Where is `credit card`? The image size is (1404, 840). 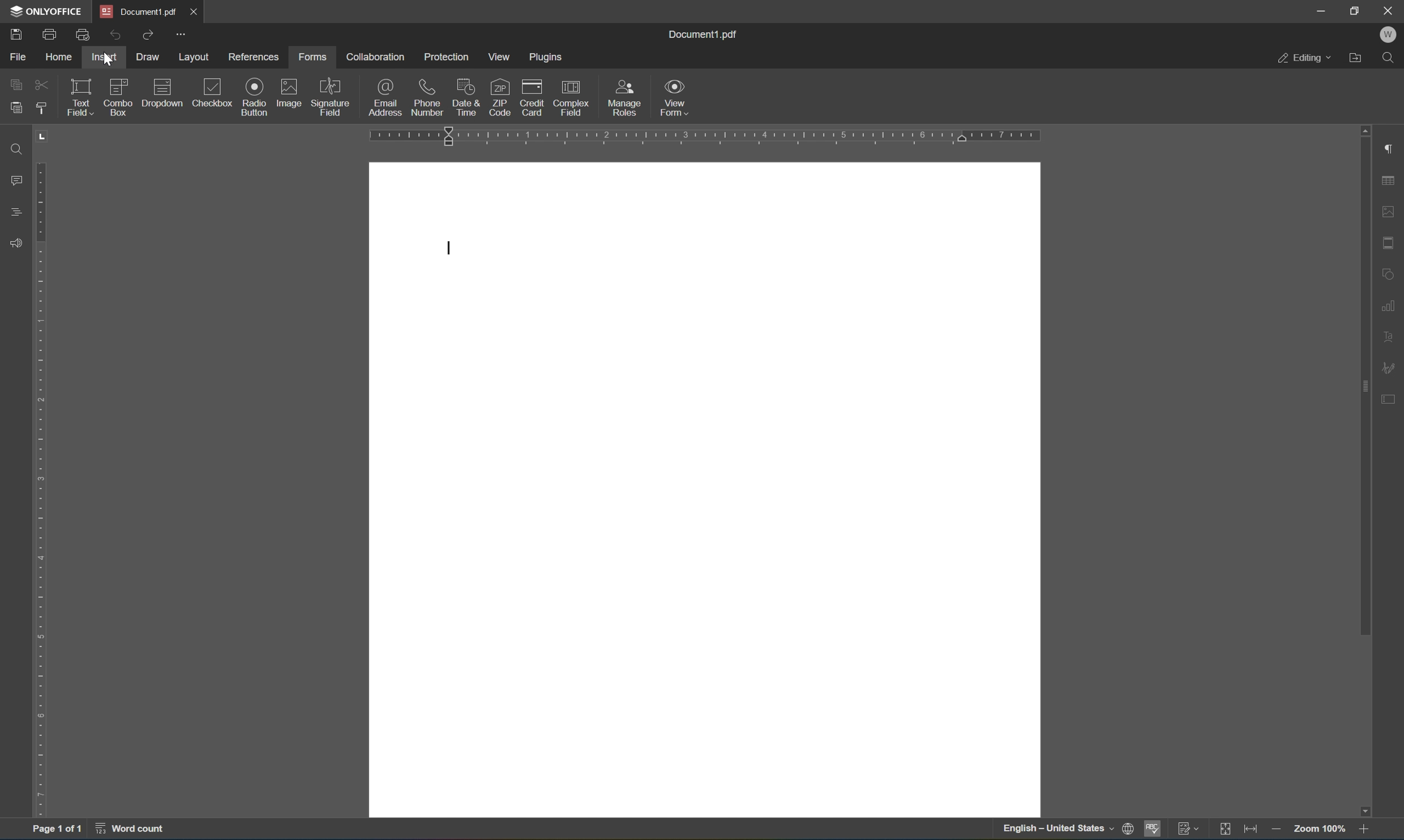
credit card is located at coordinates (534, 98).